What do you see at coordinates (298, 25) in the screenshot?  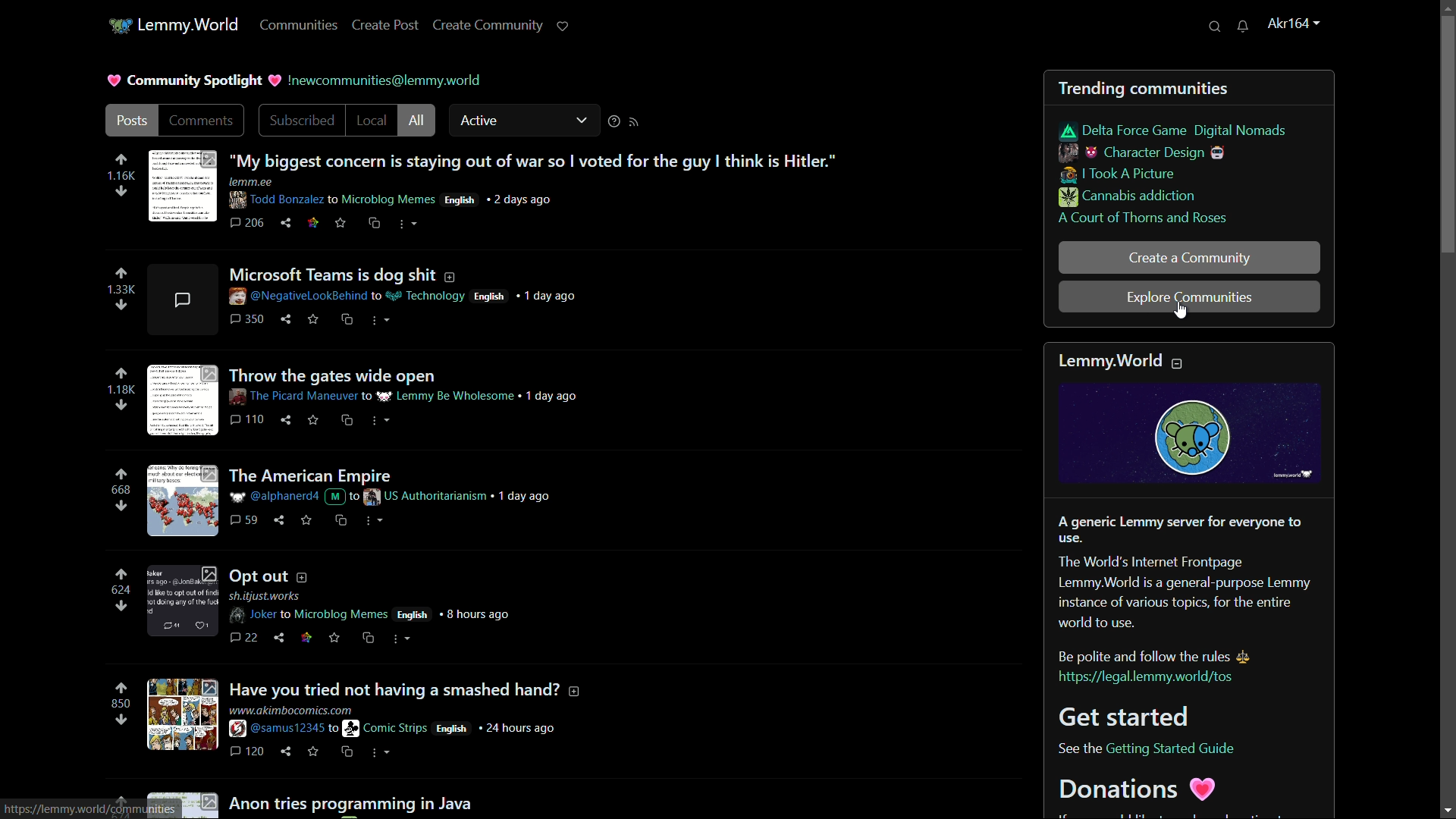 I see `communities` at bounding box center [298, 25].